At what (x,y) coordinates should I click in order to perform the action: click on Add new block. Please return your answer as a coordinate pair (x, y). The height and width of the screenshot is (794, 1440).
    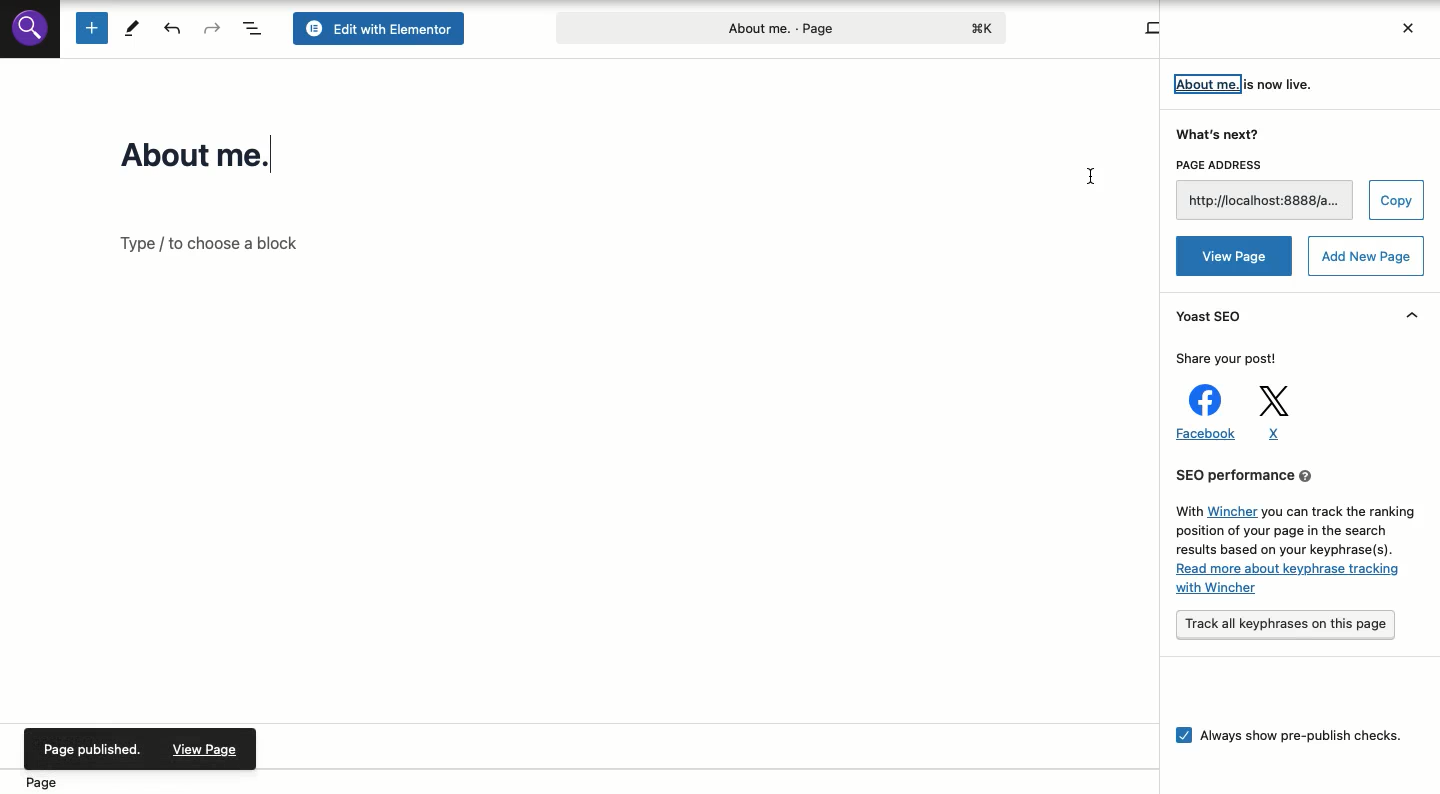
    Looking at the image, I should click on (90, 28).